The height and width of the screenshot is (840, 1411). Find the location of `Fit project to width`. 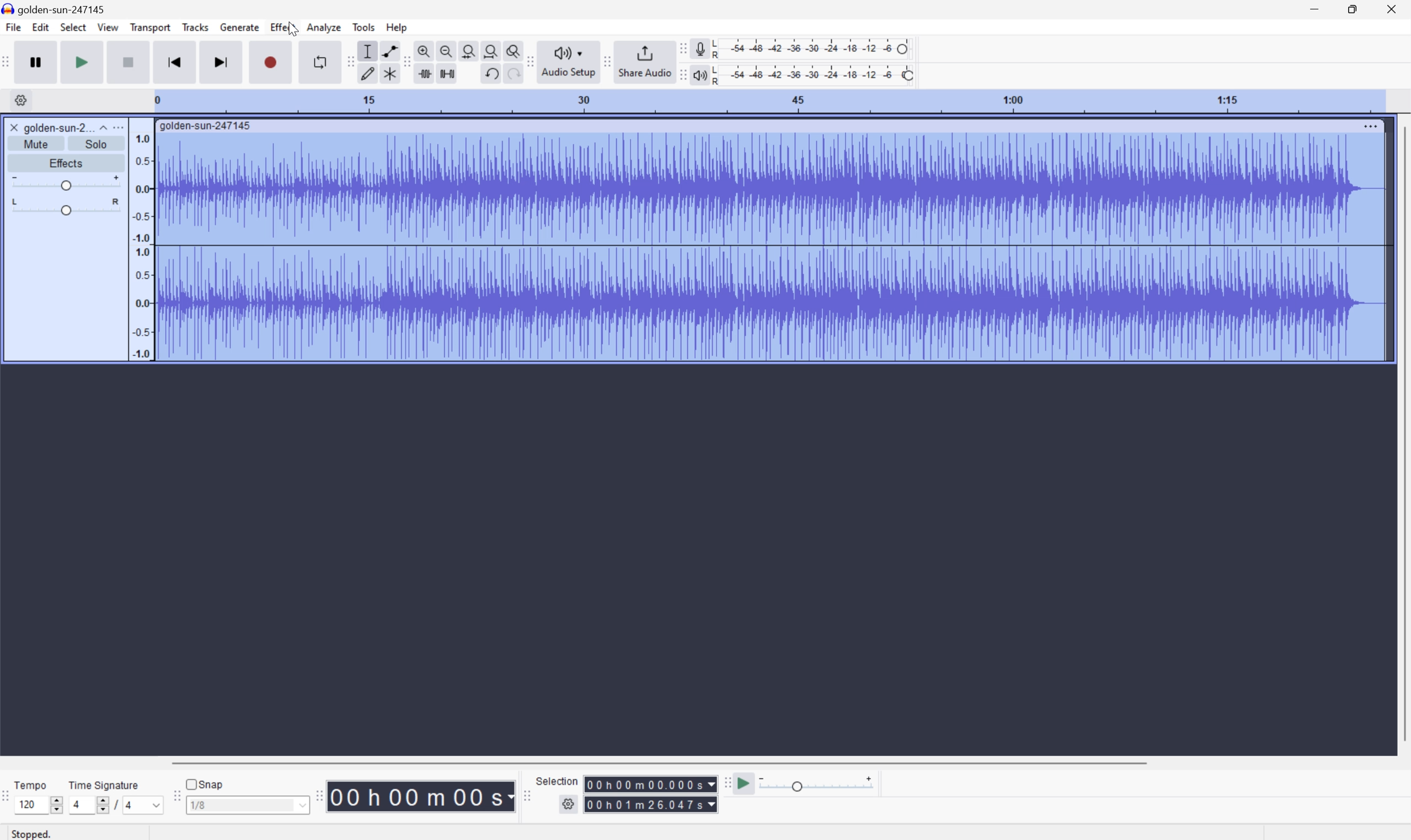

Fit project to width is located at coordinates (490, 49).